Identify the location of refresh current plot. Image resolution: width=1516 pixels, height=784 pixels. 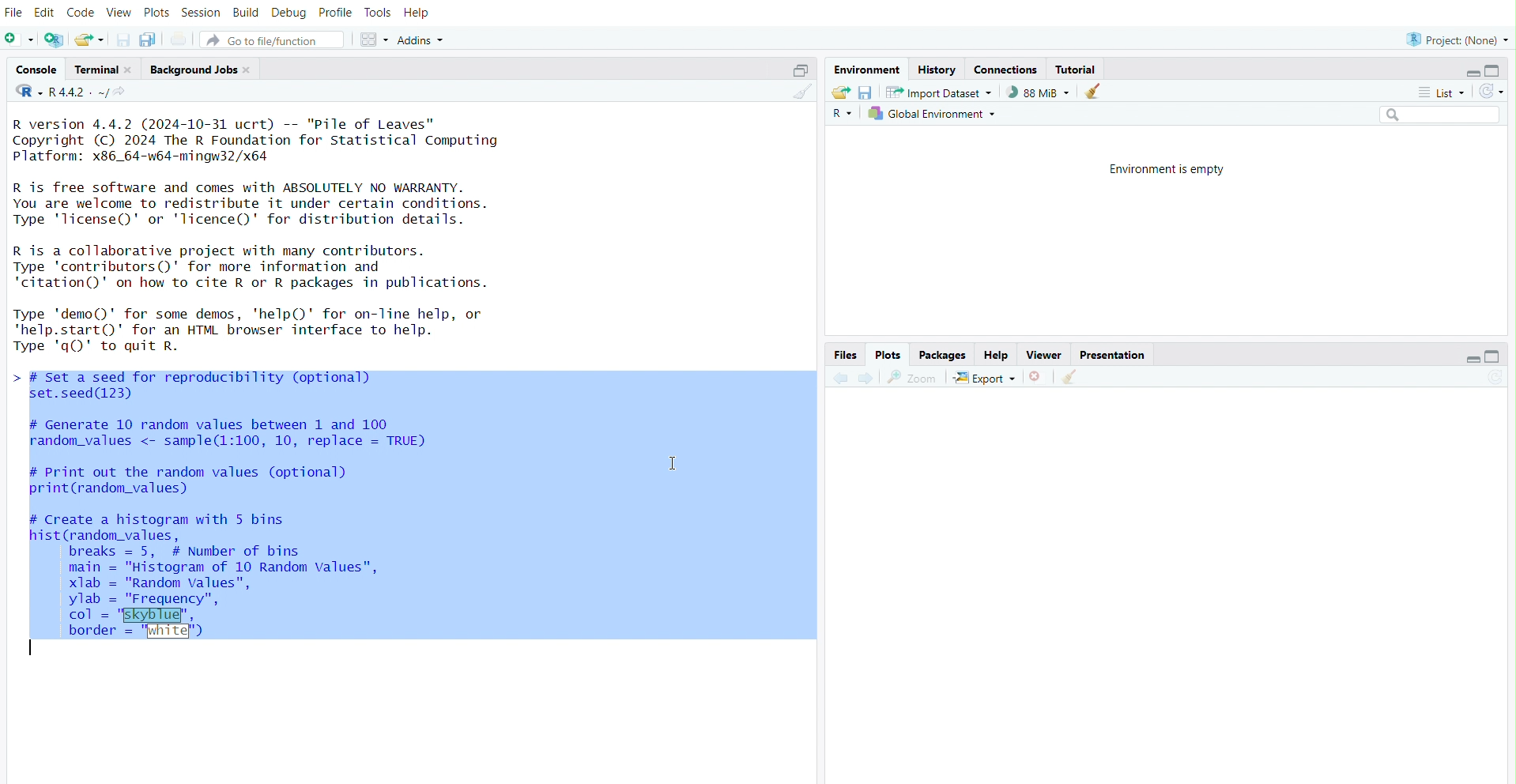
(1499, 380).